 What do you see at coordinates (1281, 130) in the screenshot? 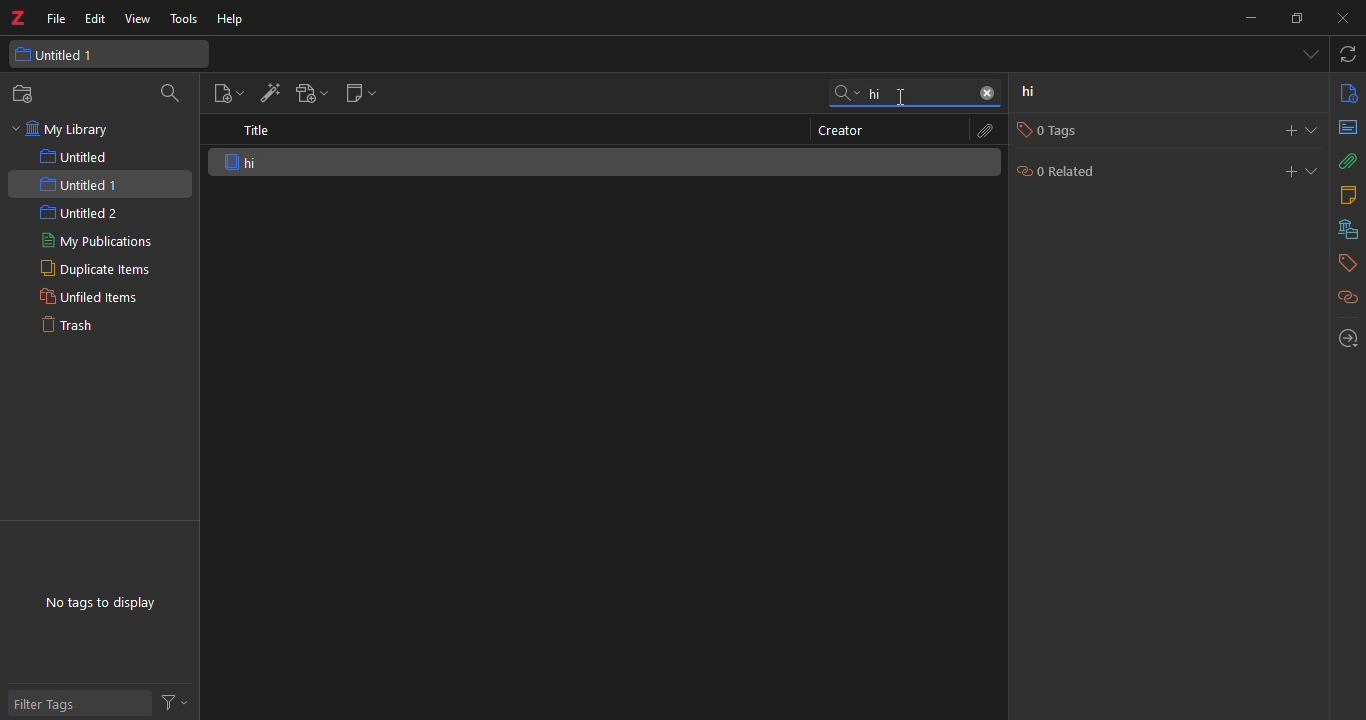
I see `add` at bounding box center [1281, 130].